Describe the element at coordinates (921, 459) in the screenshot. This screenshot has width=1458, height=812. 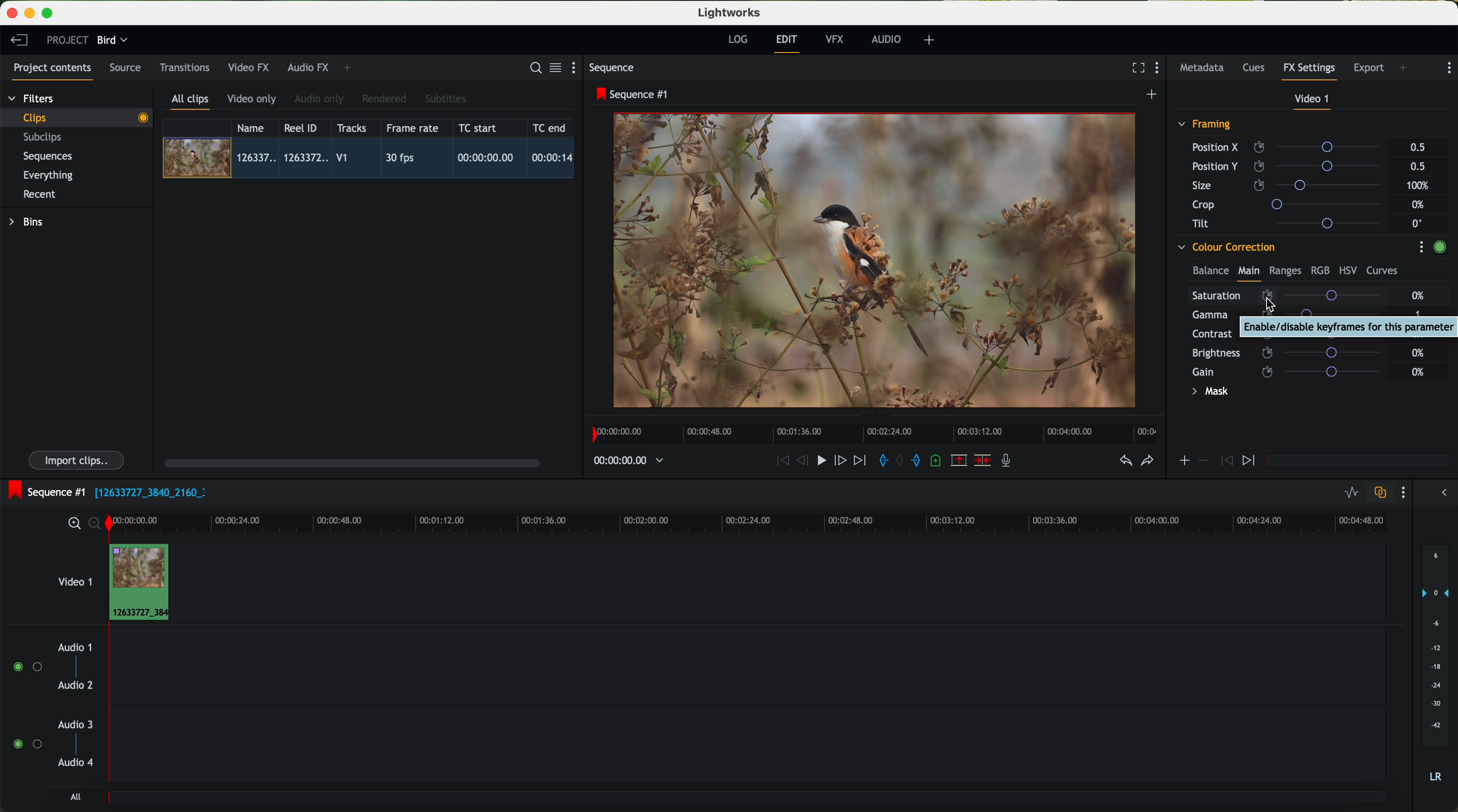
I see `add 'out' mark` at that location.